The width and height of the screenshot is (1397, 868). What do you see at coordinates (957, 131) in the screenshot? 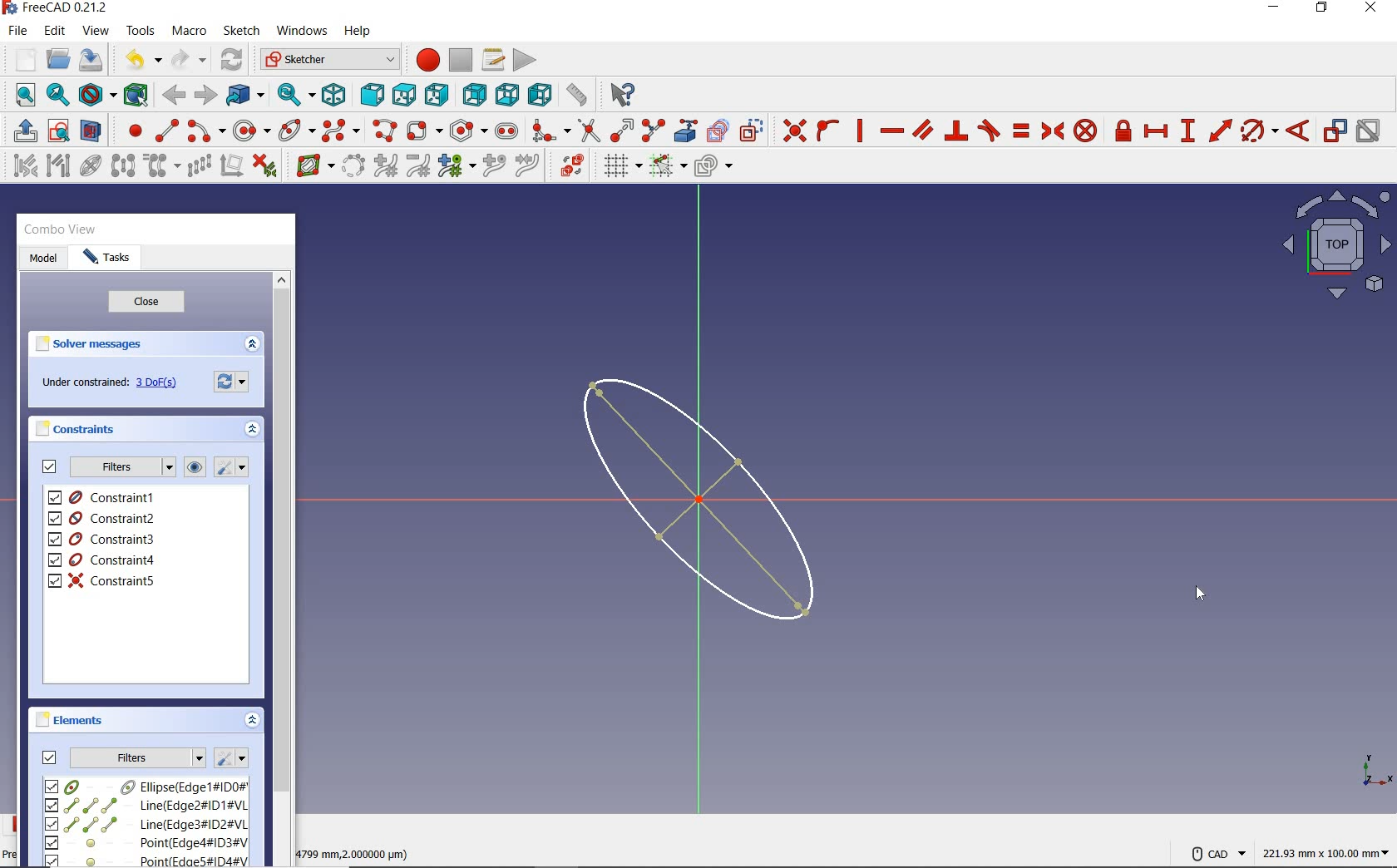
I see `constrain perpendicular` at bounding box center [957, 131].